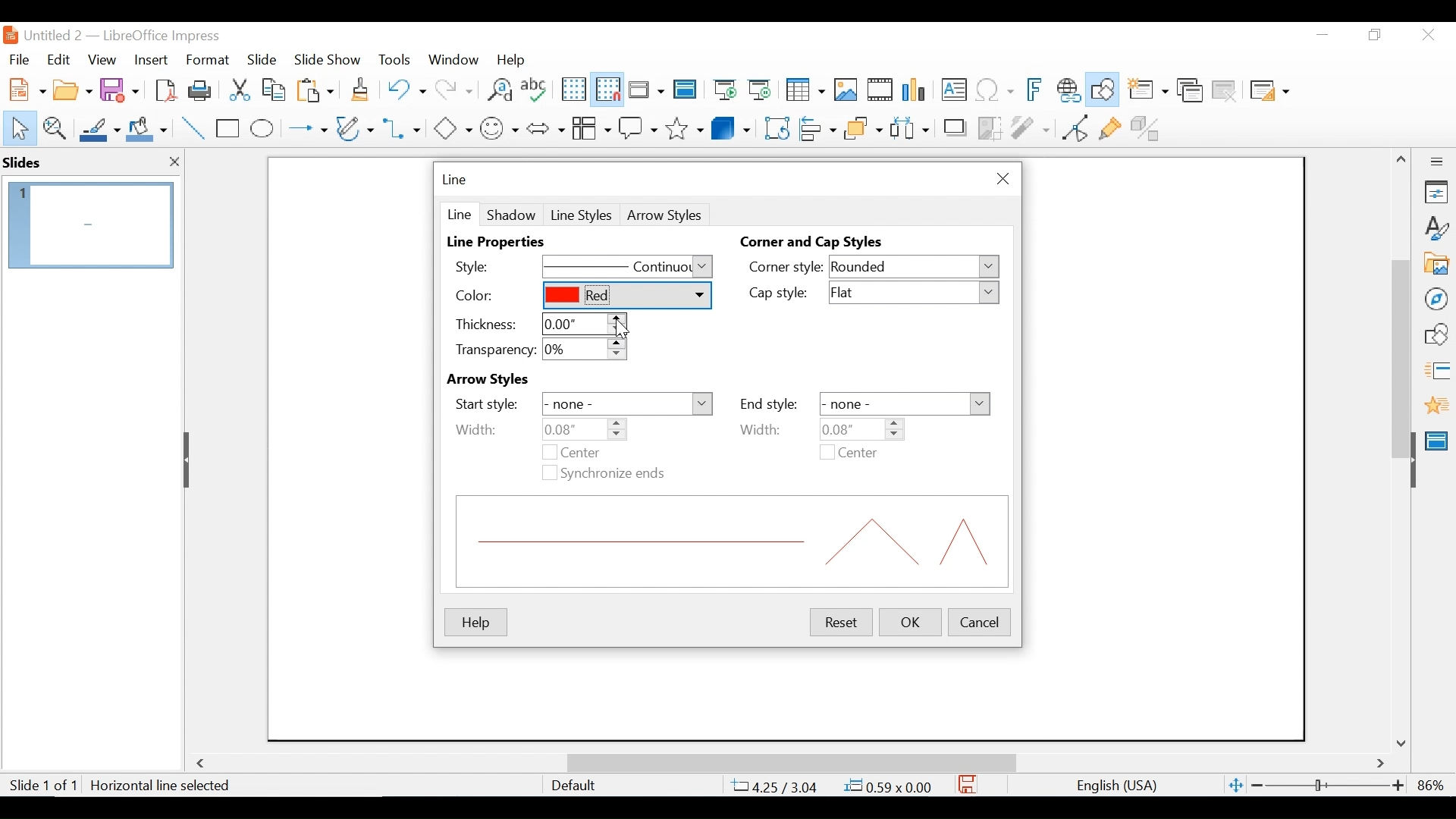  I want to click on Find and Replace, so click(499, 89).